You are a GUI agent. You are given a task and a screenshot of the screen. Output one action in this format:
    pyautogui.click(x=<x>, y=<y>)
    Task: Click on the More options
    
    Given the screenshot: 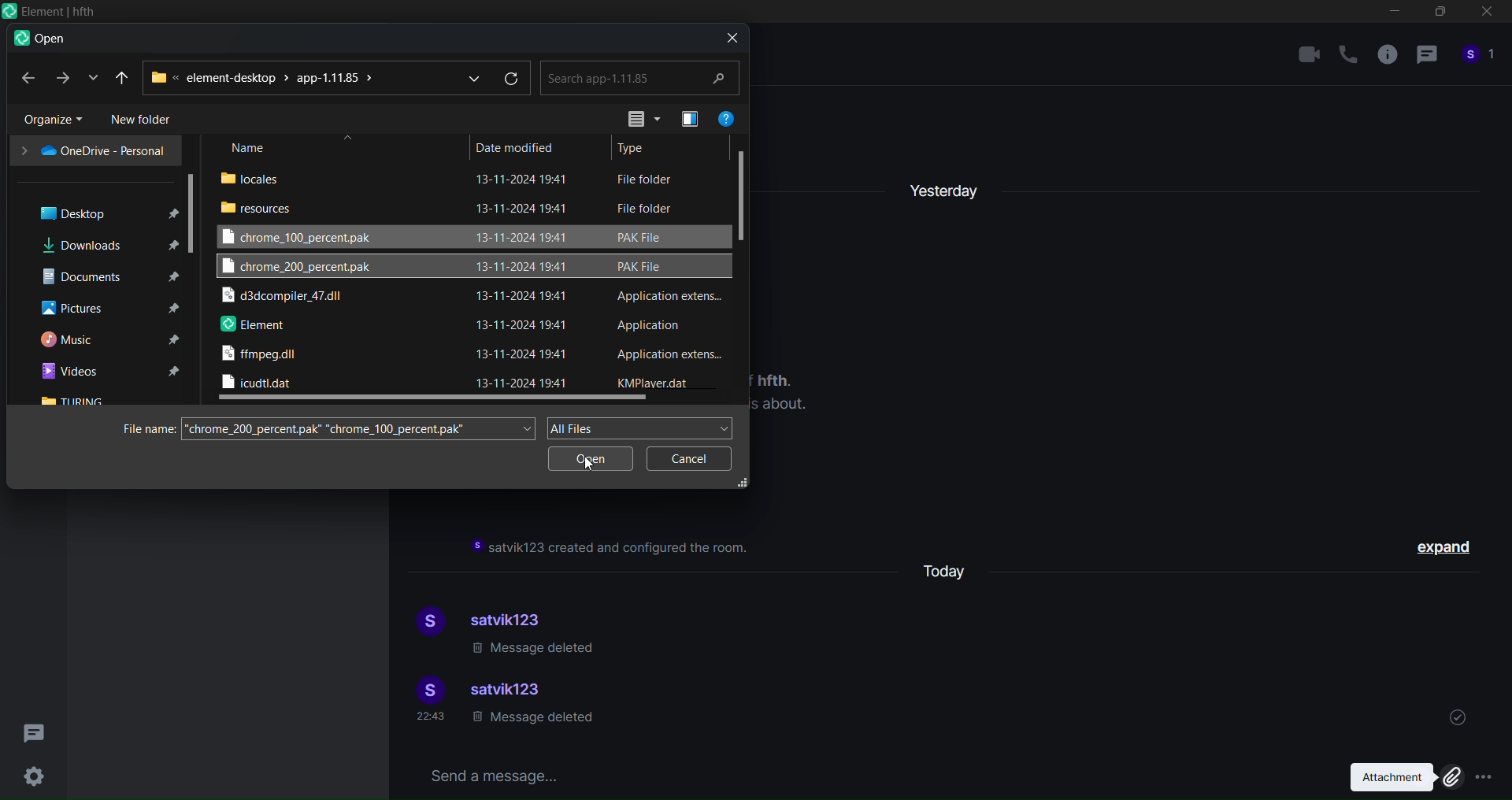 What is the action you would take?
    pyautogui.click(x=1492, y=779)
    